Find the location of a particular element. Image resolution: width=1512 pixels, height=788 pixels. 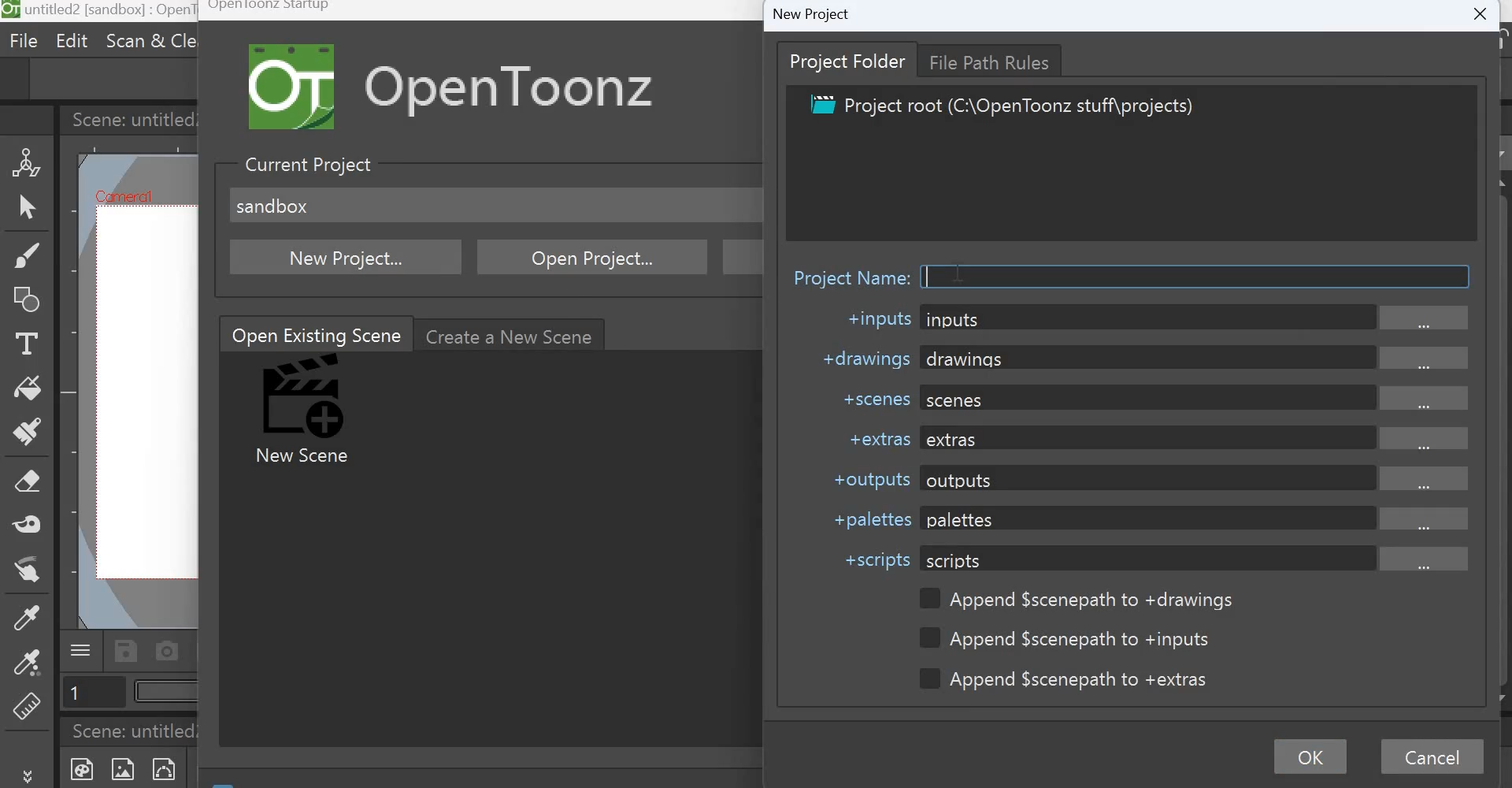

Current Project is located at coordinates (306, 165).